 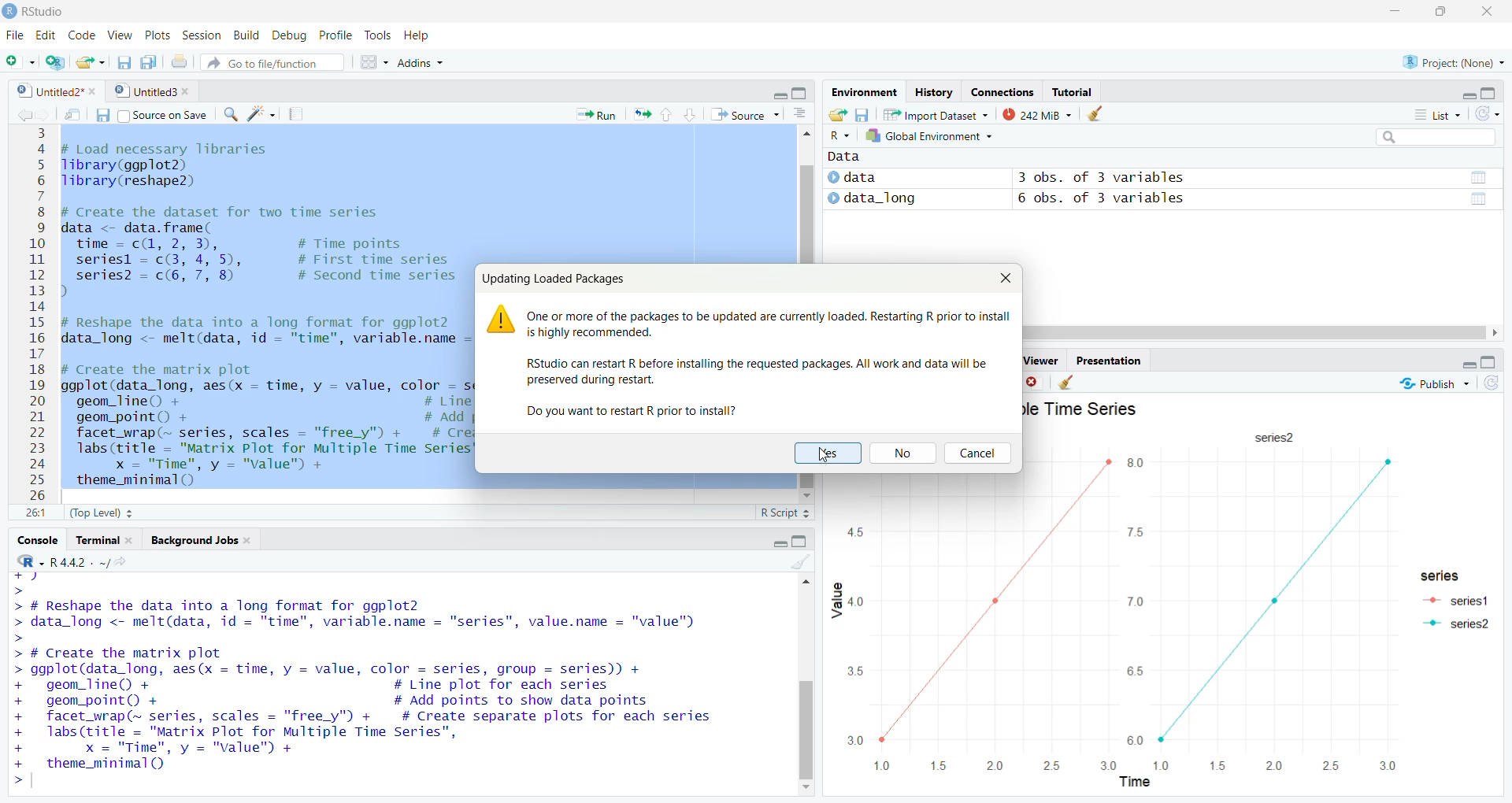 What do you see at coordinates (201, 35) in the screenshot?
I see `Session` at bounding box center [201, 35].